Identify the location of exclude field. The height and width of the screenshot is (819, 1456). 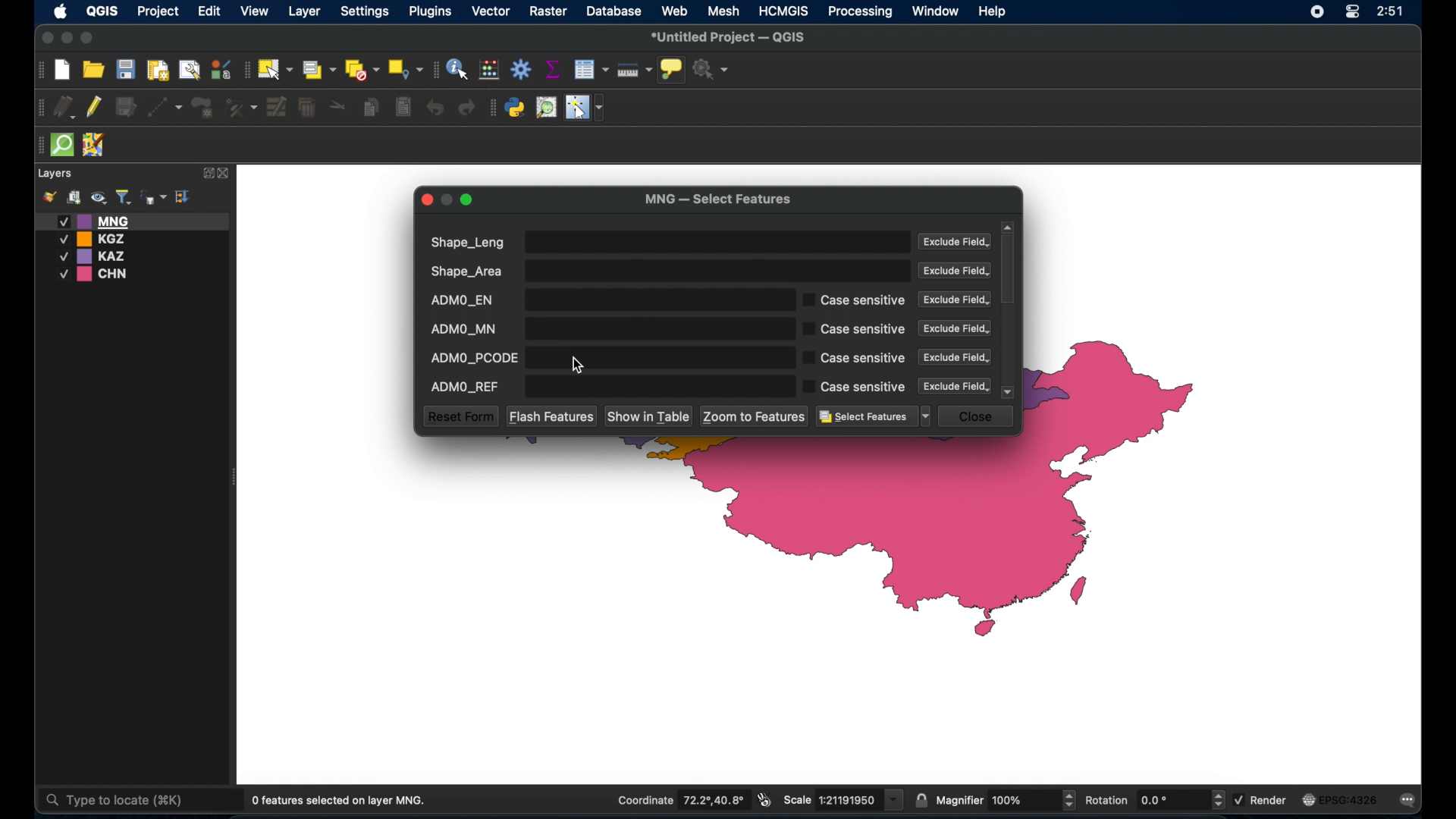
(955, 357).